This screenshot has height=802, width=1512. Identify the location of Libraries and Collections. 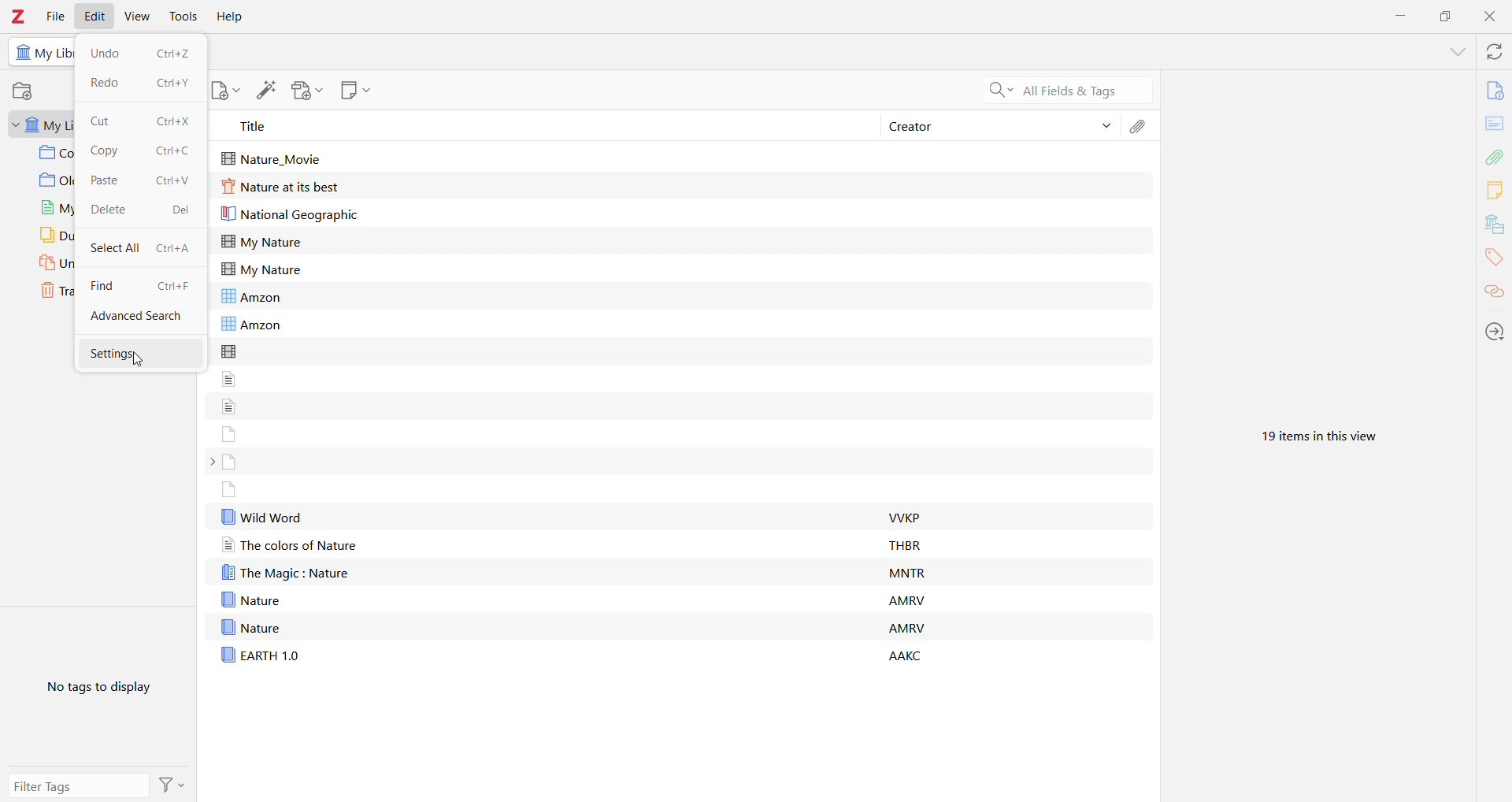
(1494, 225).